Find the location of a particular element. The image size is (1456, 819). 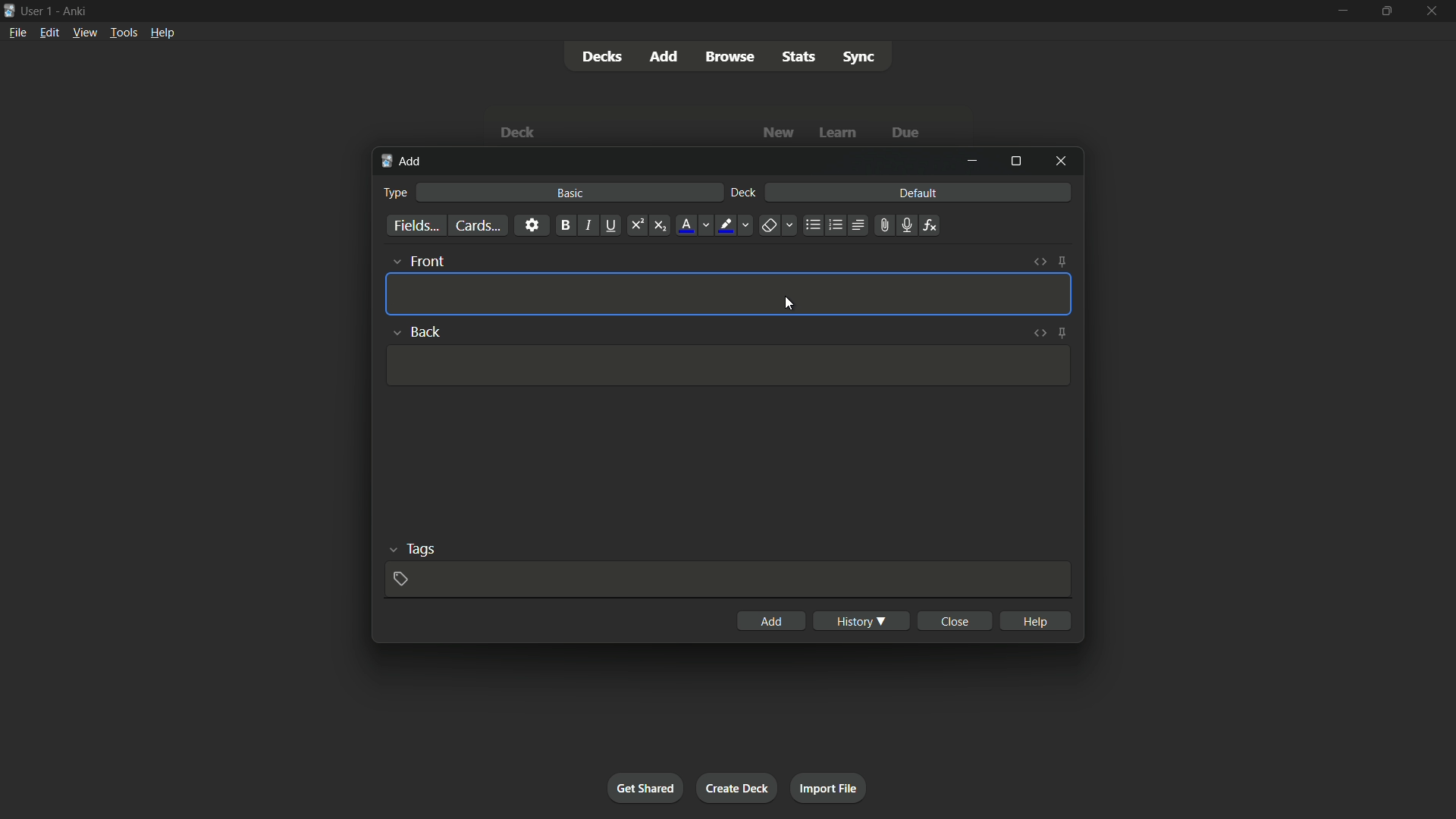

cards is located at coordinates (477, 226).